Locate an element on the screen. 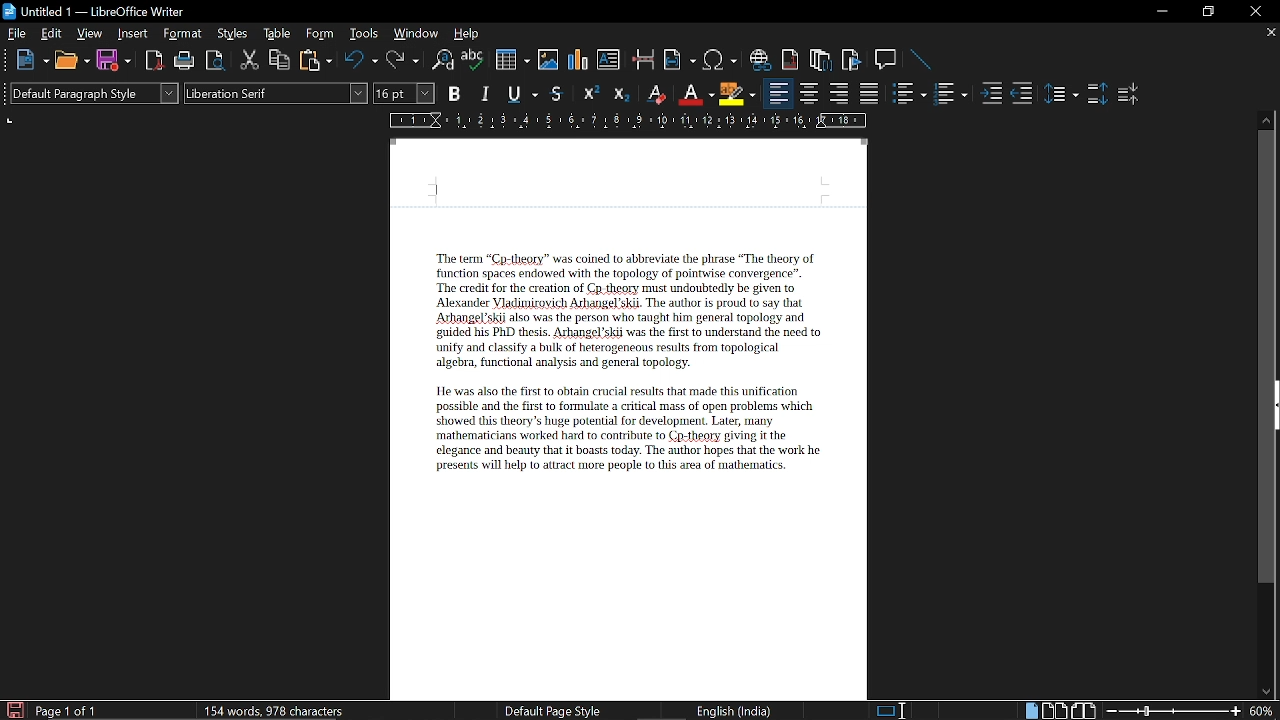 The width and height of the screenshot is (1280, 720). Find and replace is located at coordinates (441, 61).